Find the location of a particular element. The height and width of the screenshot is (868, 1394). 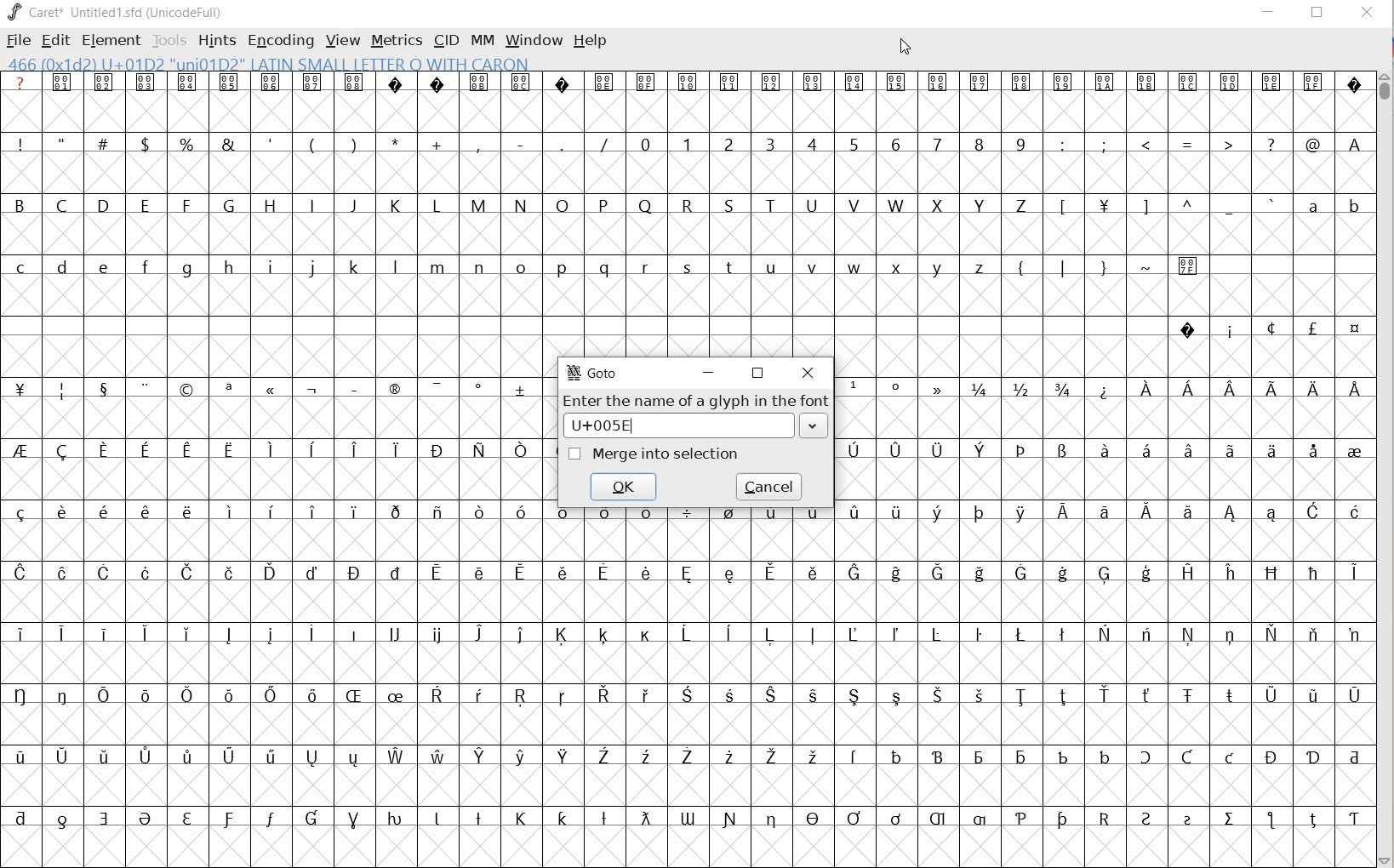

METRICS is located at coordinates (397, 41).